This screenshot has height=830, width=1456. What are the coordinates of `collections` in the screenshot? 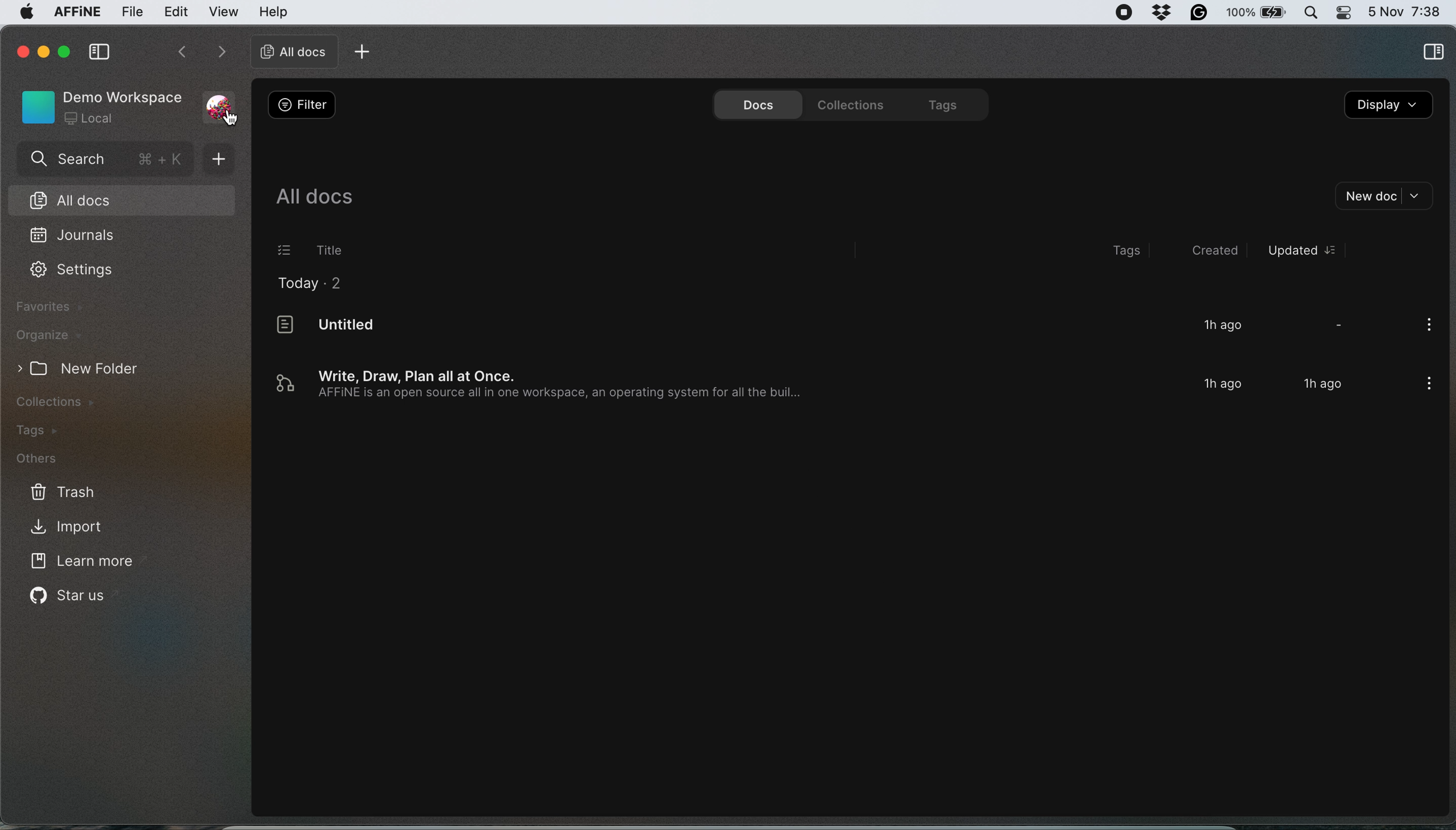 It's located at (71, 401).